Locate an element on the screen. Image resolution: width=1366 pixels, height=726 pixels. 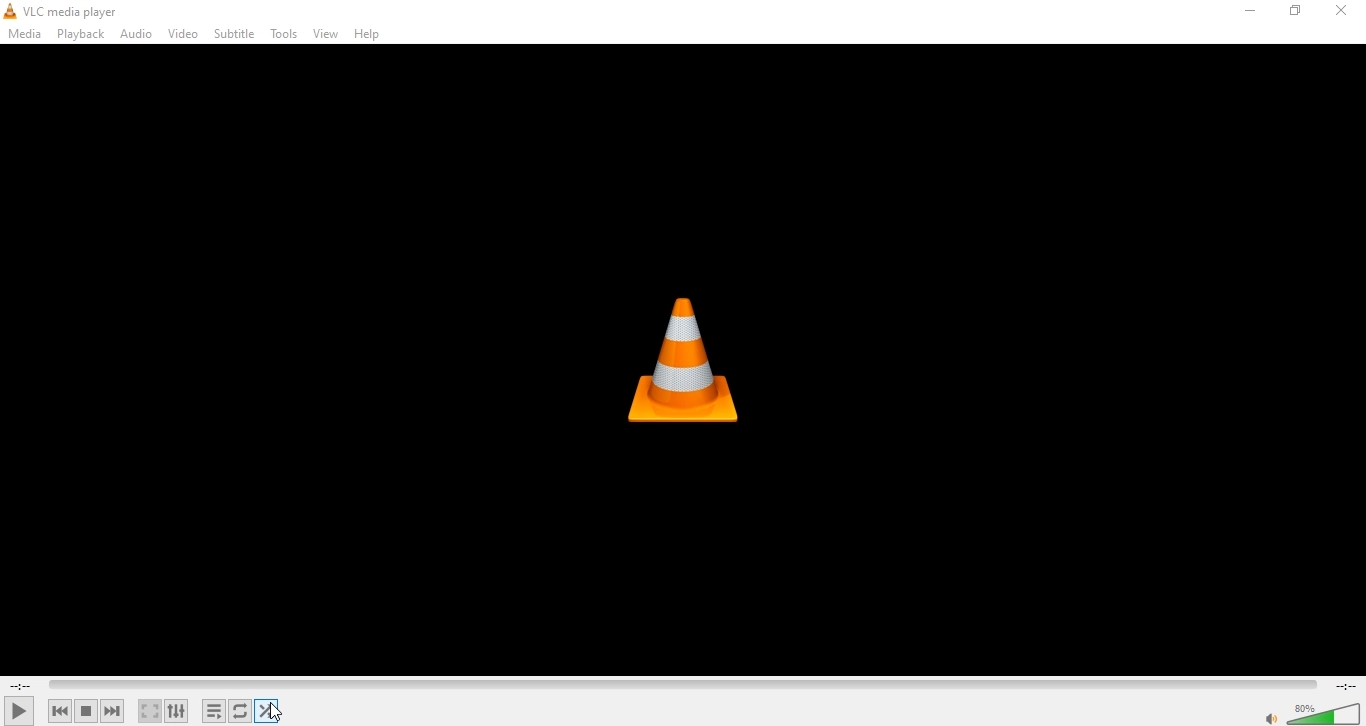
playback is located at coordinates (79, 35).